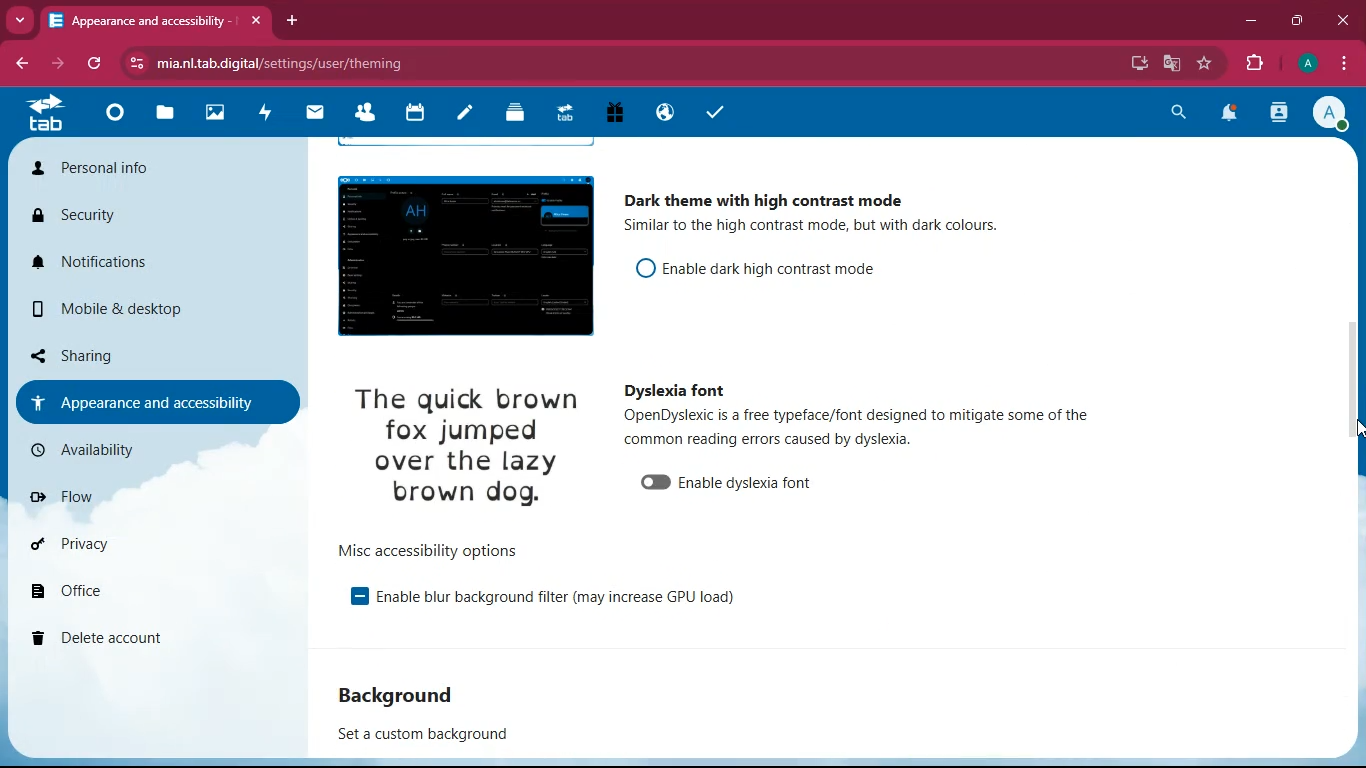 This screenshot has height=768, width=1366. Describe the element at coordinates (21, 65) in the screenshot. I see `back` at that location.